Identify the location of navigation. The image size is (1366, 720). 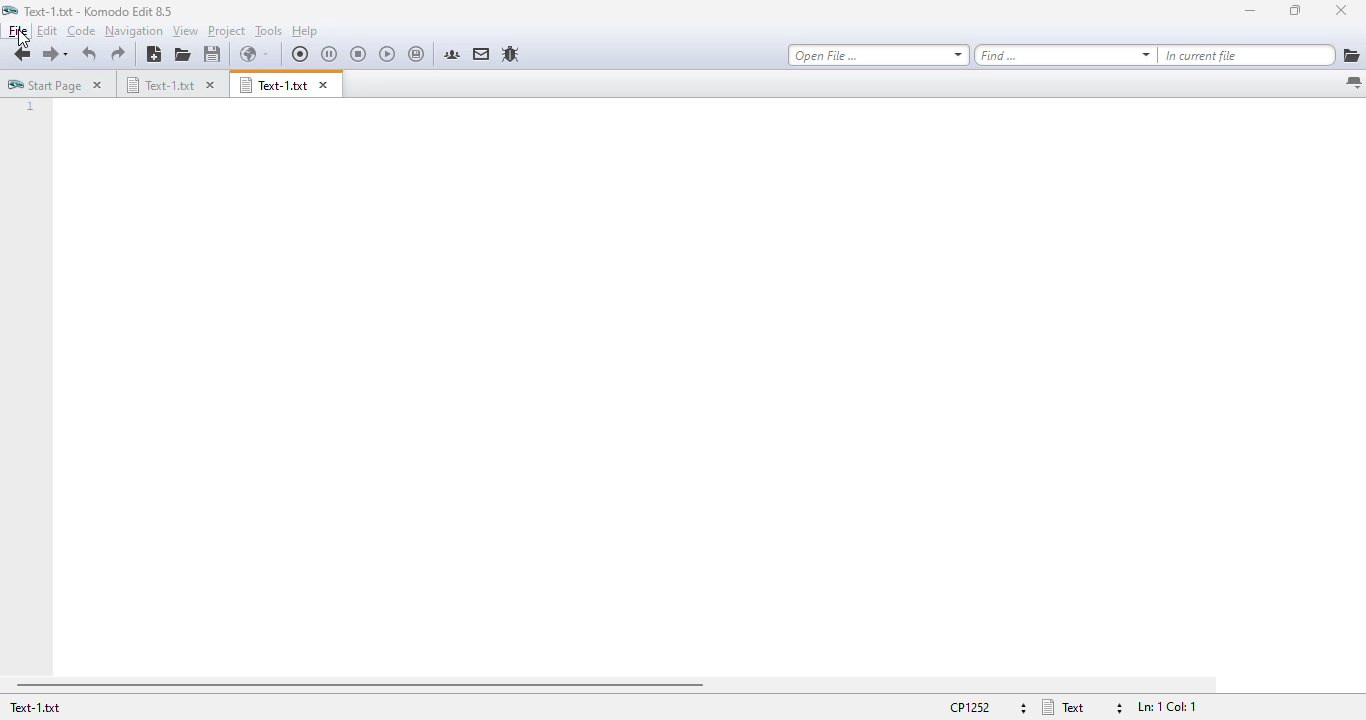
(134, 31).